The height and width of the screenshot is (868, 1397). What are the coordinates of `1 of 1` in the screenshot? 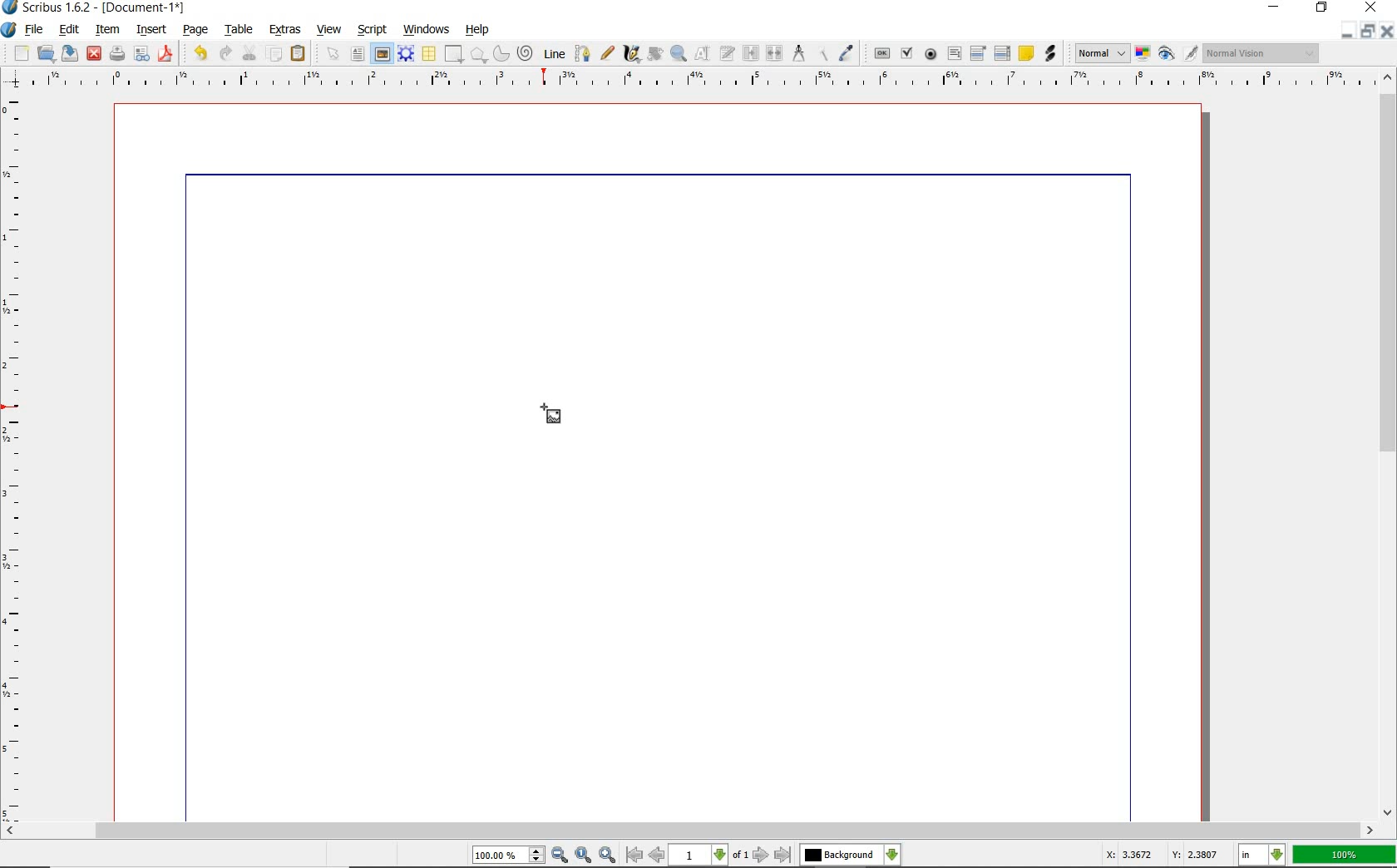 It's located at (711, 856).